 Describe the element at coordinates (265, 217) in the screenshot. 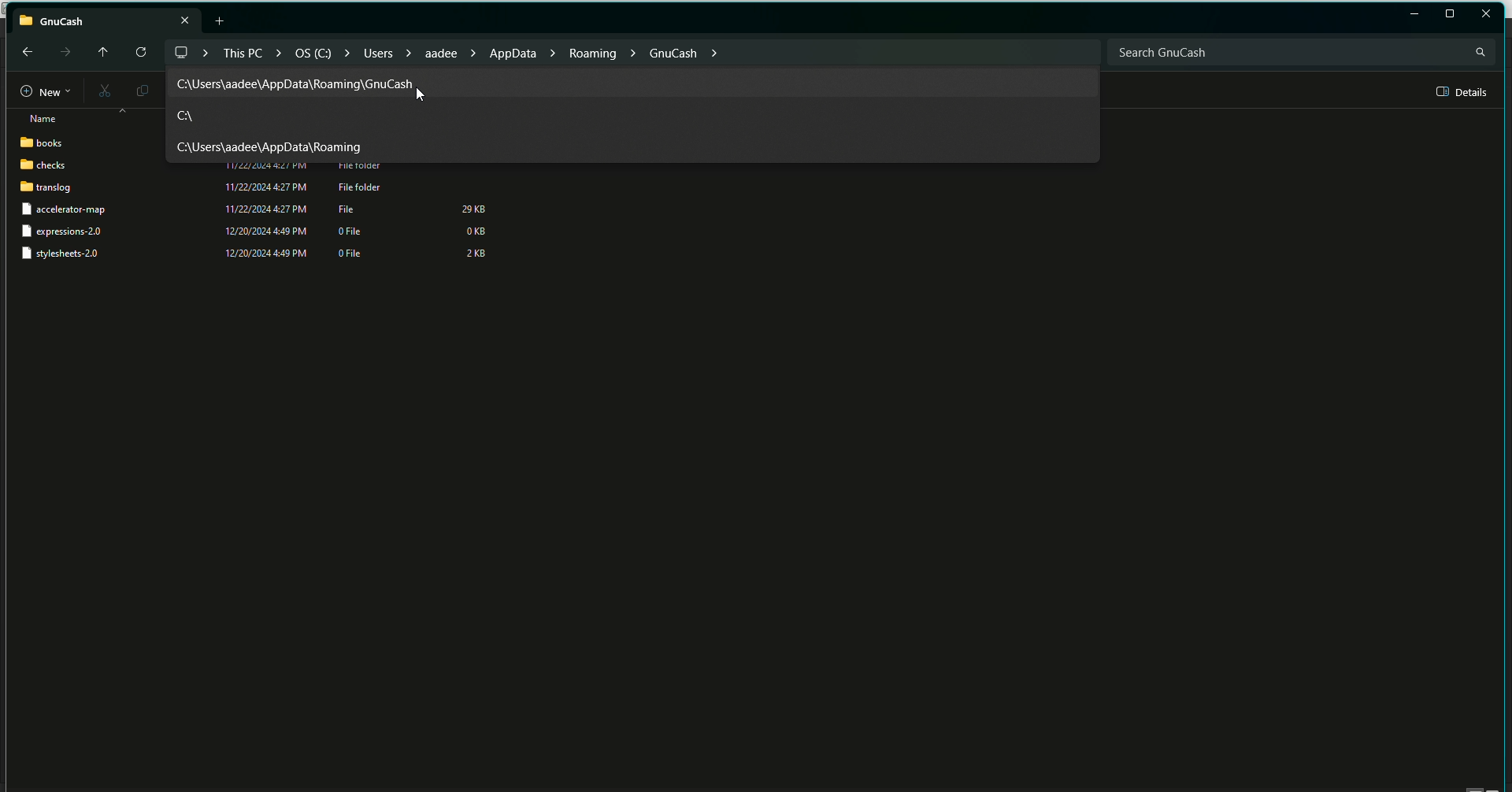

I see `Date` at that location.